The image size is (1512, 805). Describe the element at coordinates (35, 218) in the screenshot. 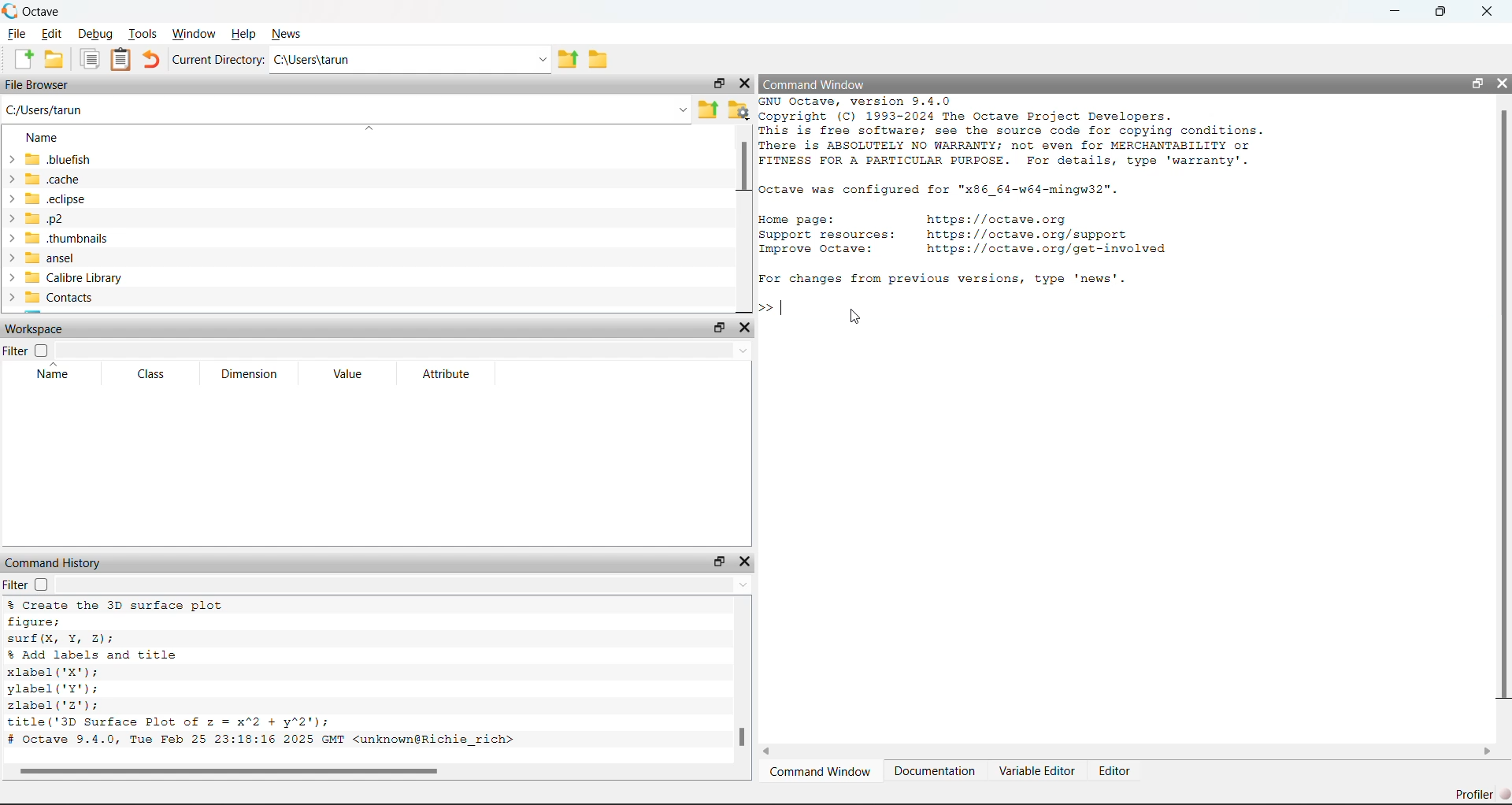

I see `p2` at that location.